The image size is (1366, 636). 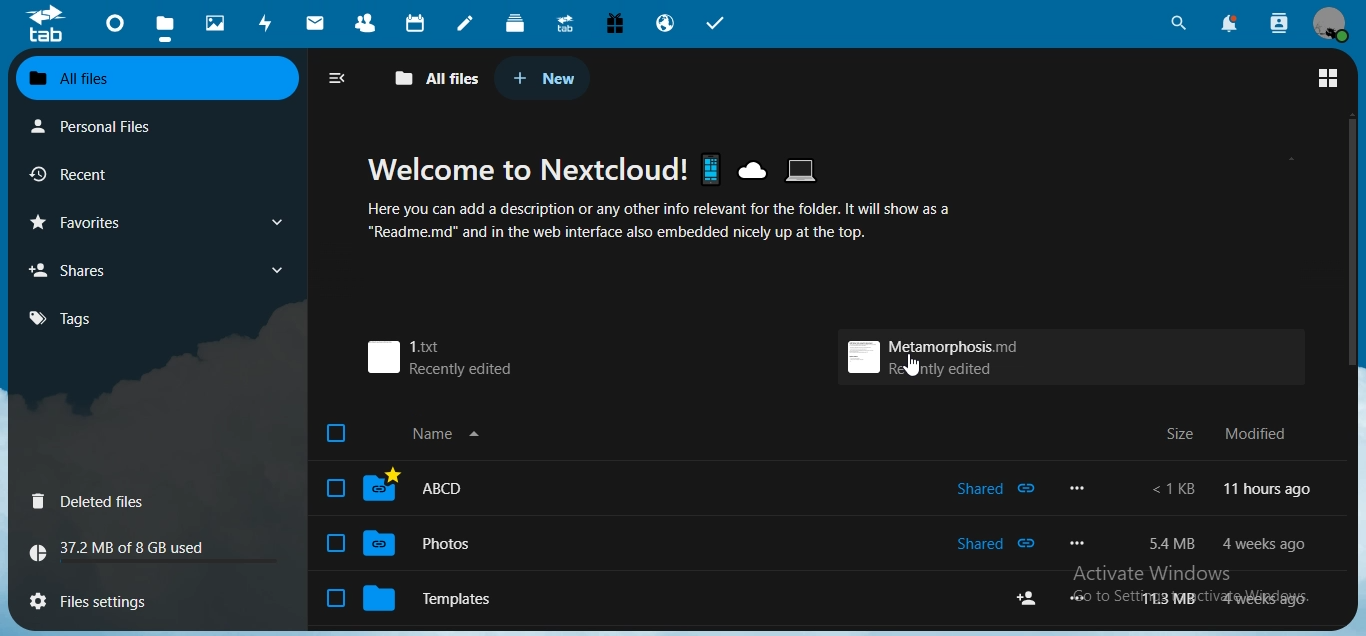 I want to click on email hosting, so click(x=663, y=23).